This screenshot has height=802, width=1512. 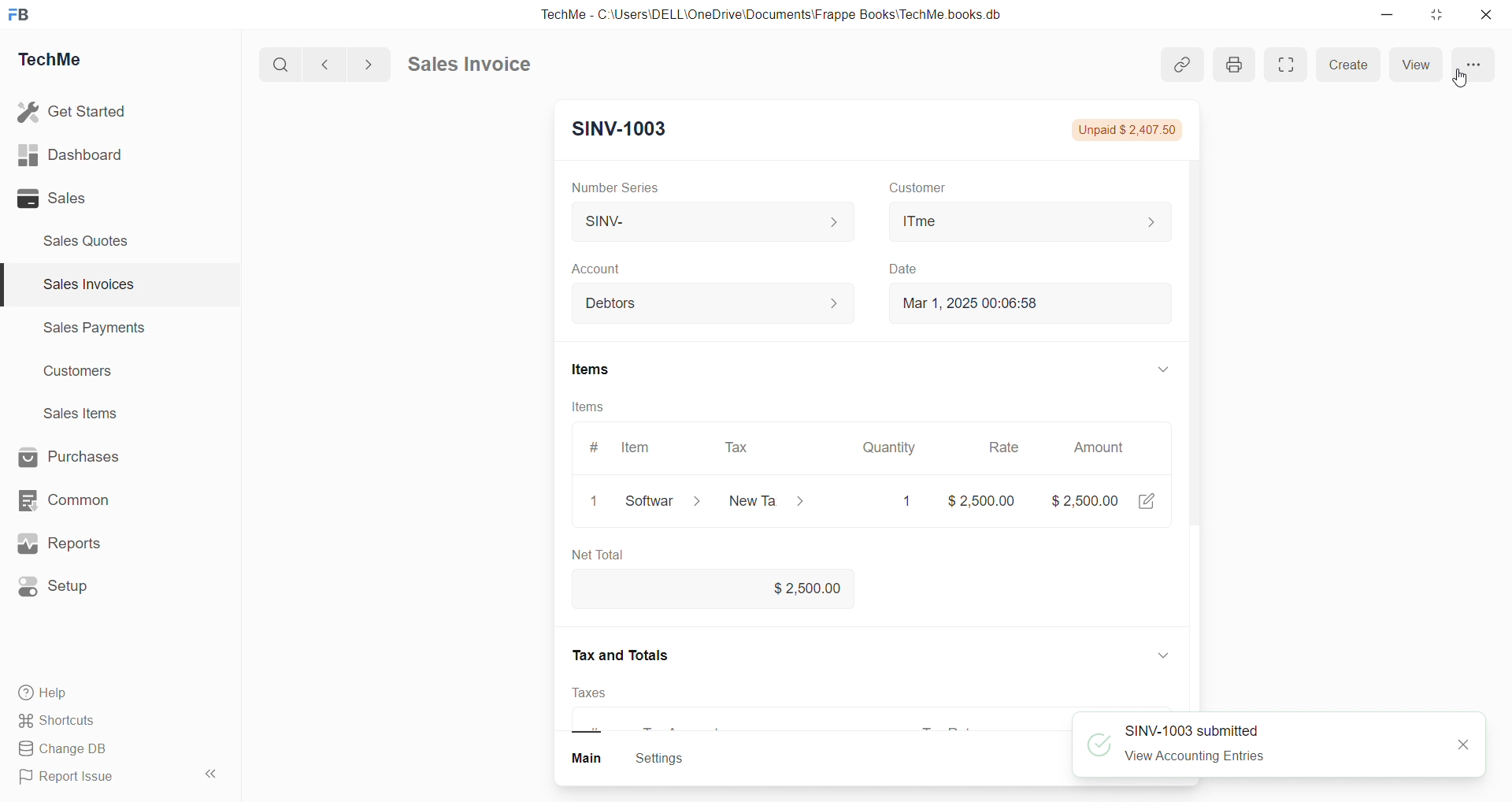 What do you see at coordinates (212, 771) in the screenshot?
I see `«` at bounding box center [212, 771].